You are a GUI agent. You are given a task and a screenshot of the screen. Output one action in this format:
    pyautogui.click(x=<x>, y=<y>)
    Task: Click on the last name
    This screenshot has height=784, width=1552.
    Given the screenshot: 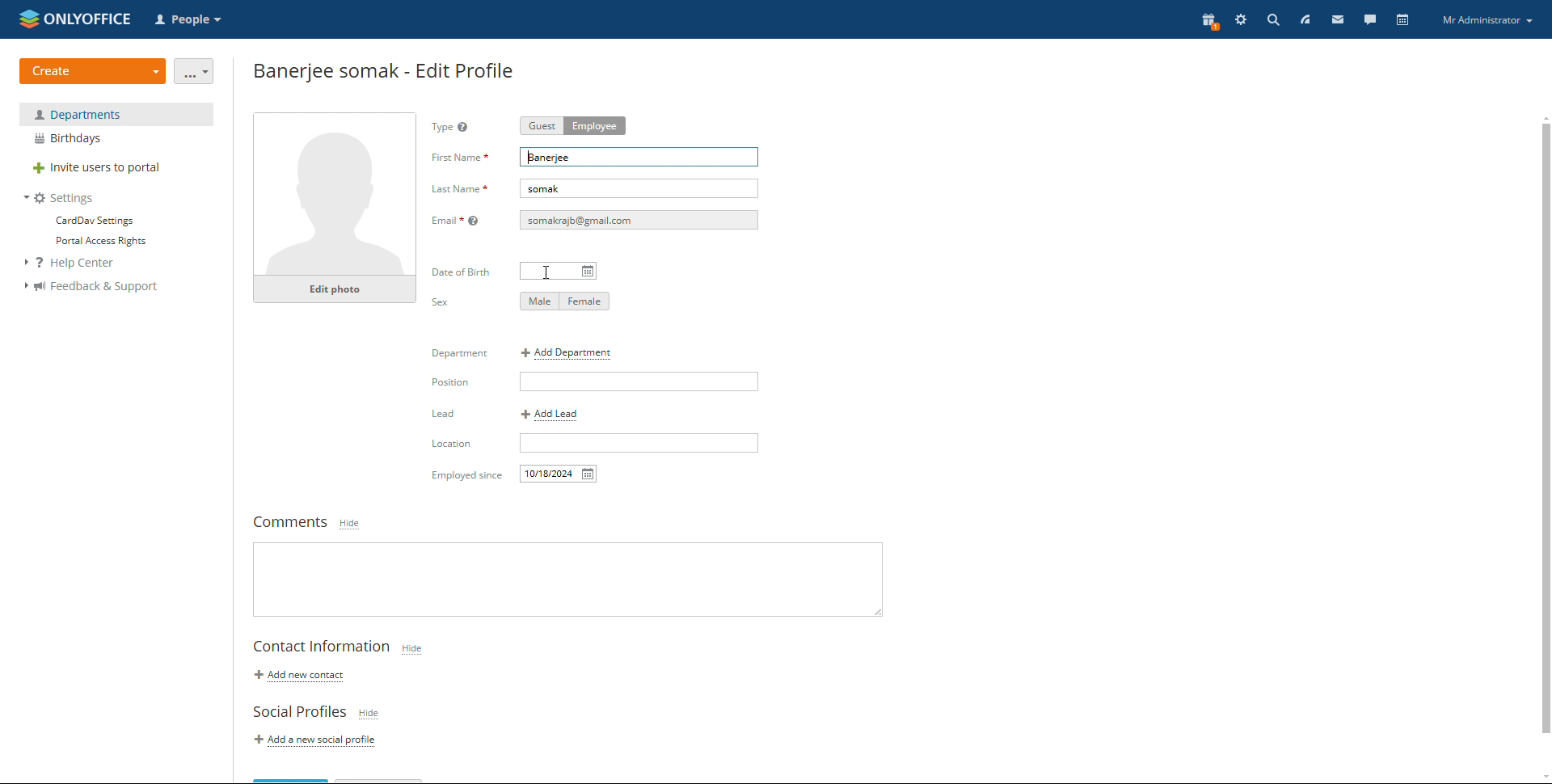 What is the action you would take?
    pyautogui.click(x=639, y=188)
    